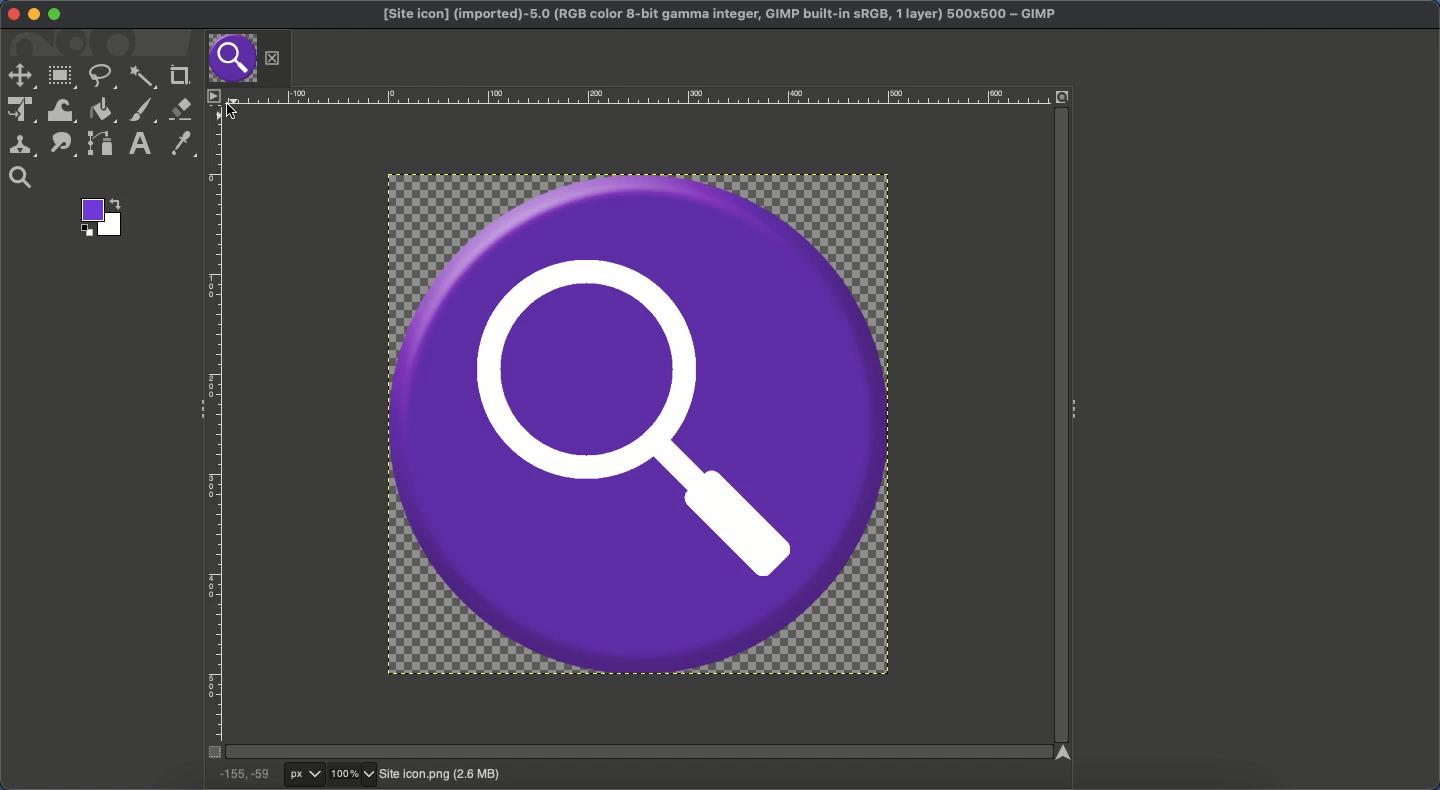 This screenshot has height=790, width=1440. I want to click on Move tool, so click(20, 76).